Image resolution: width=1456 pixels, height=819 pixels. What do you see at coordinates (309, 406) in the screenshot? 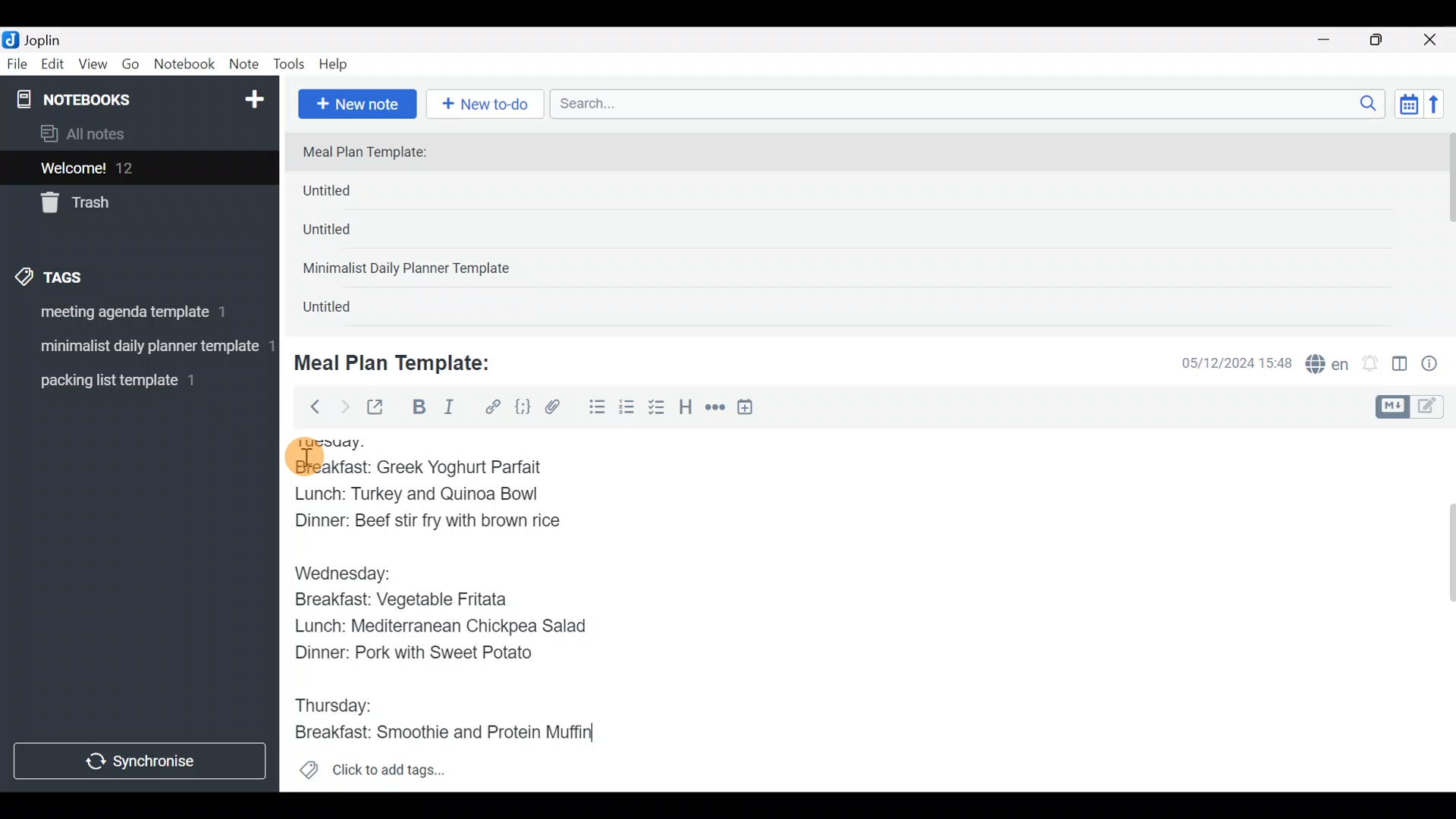
I see `Back` at bounding box center [309, 406].